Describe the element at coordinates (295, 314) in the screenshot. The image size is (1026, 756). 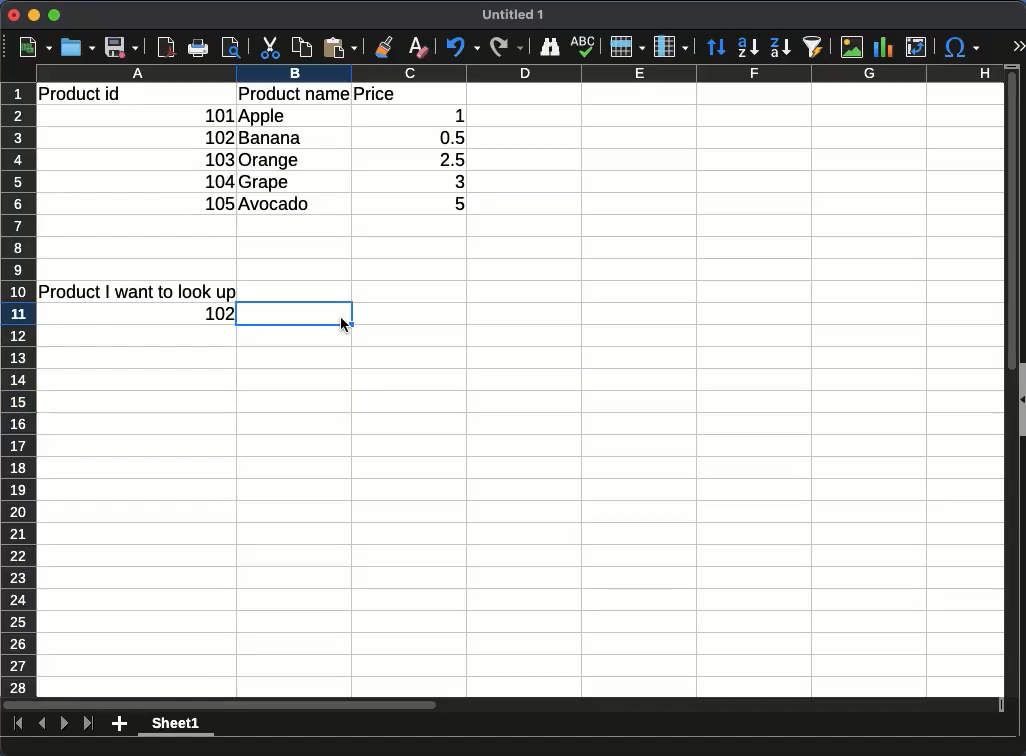
I see `cell selected ` at that location.